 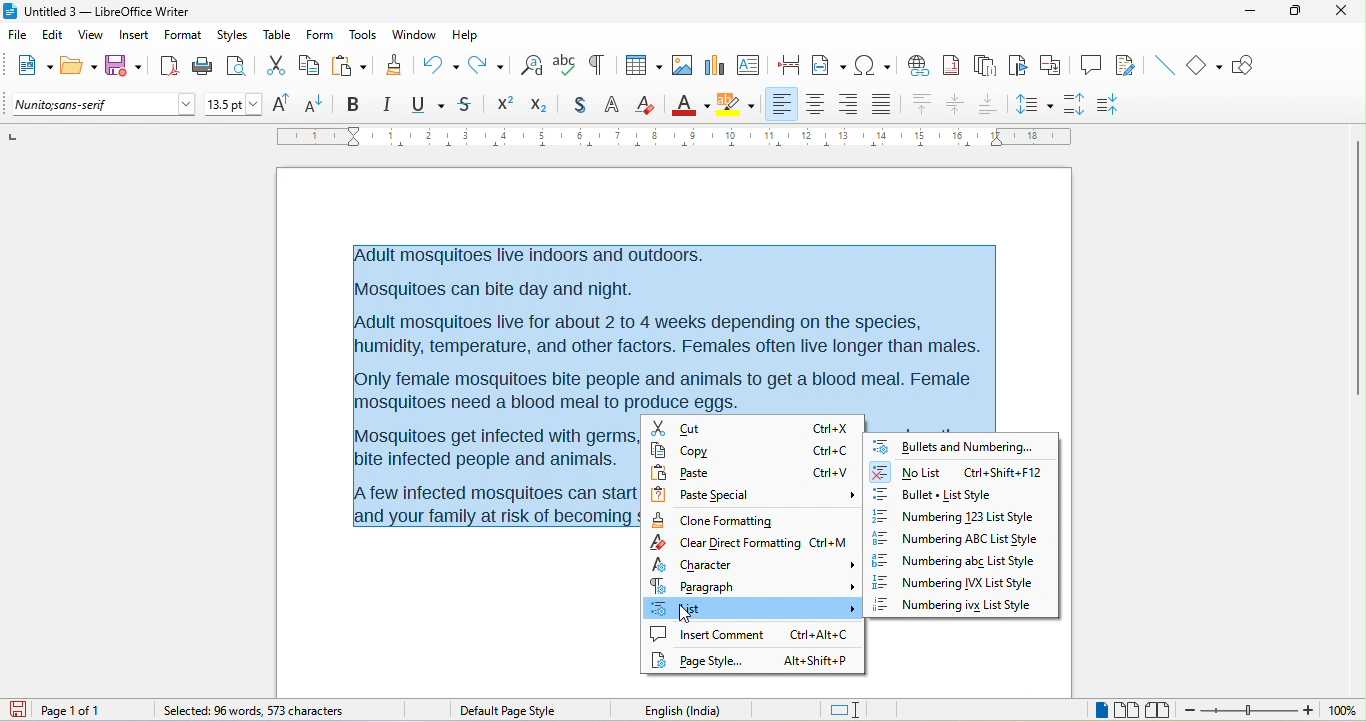 What do you see at coordinates (601, 65) in the screenshot?
I see `toggle formatting marks` at bounding box center [601, 65].